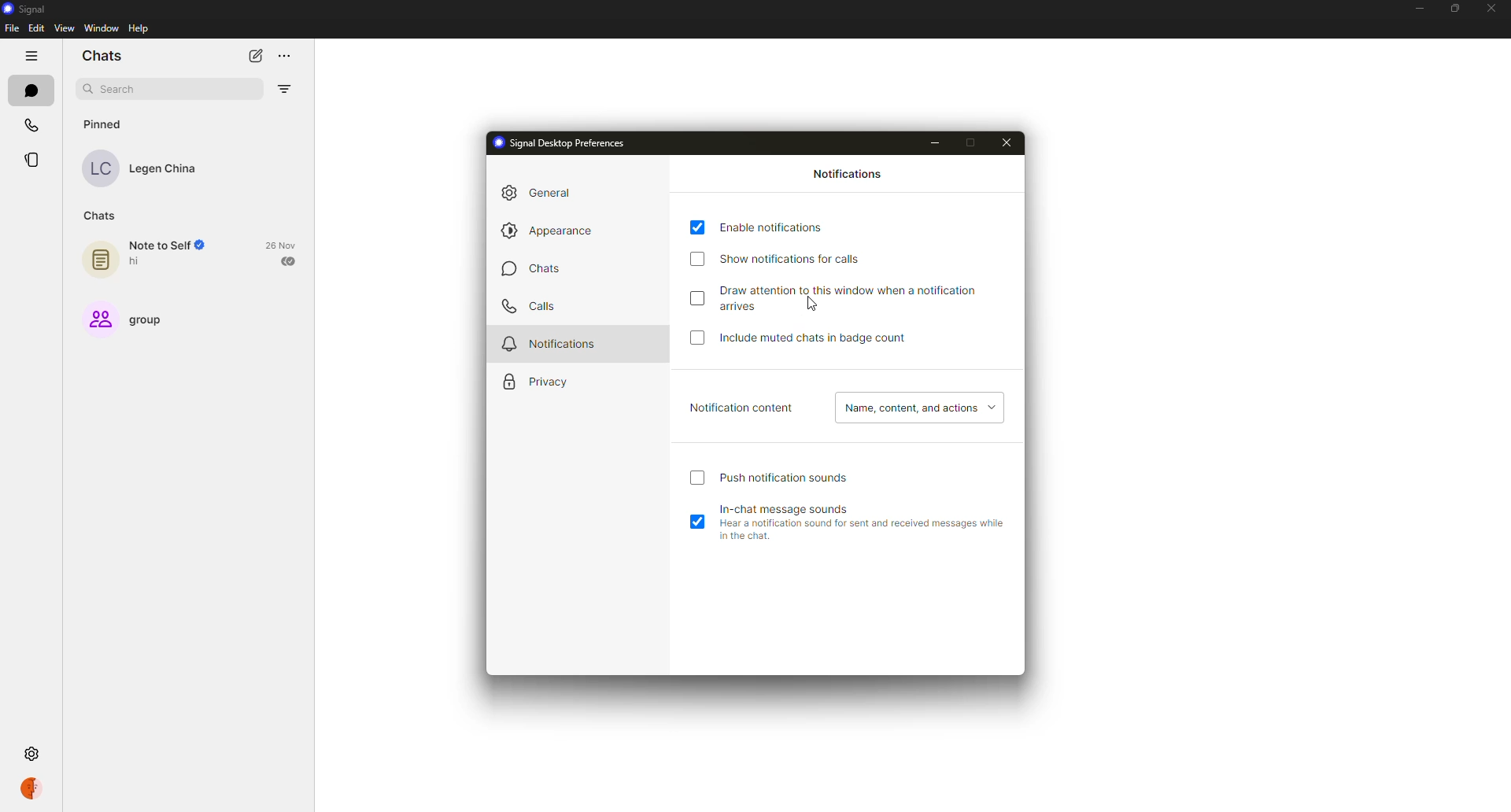 The width and height of the screenshot is (1511, 812). I want to click on disabled, so click(700, 297).